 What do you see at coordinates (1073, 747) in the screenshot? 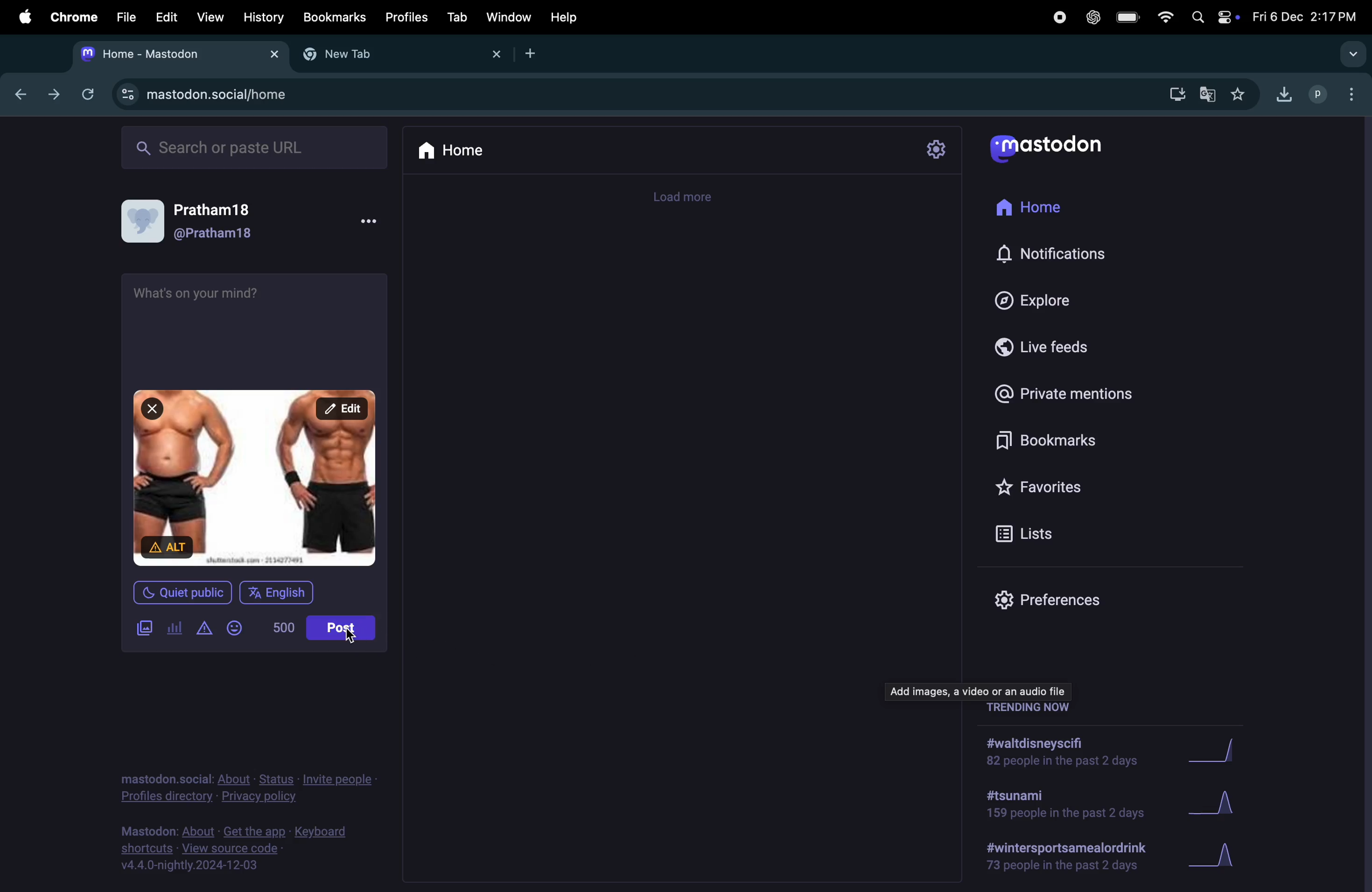
I see `walt disney scifi` at bounding box center [1073, 747].